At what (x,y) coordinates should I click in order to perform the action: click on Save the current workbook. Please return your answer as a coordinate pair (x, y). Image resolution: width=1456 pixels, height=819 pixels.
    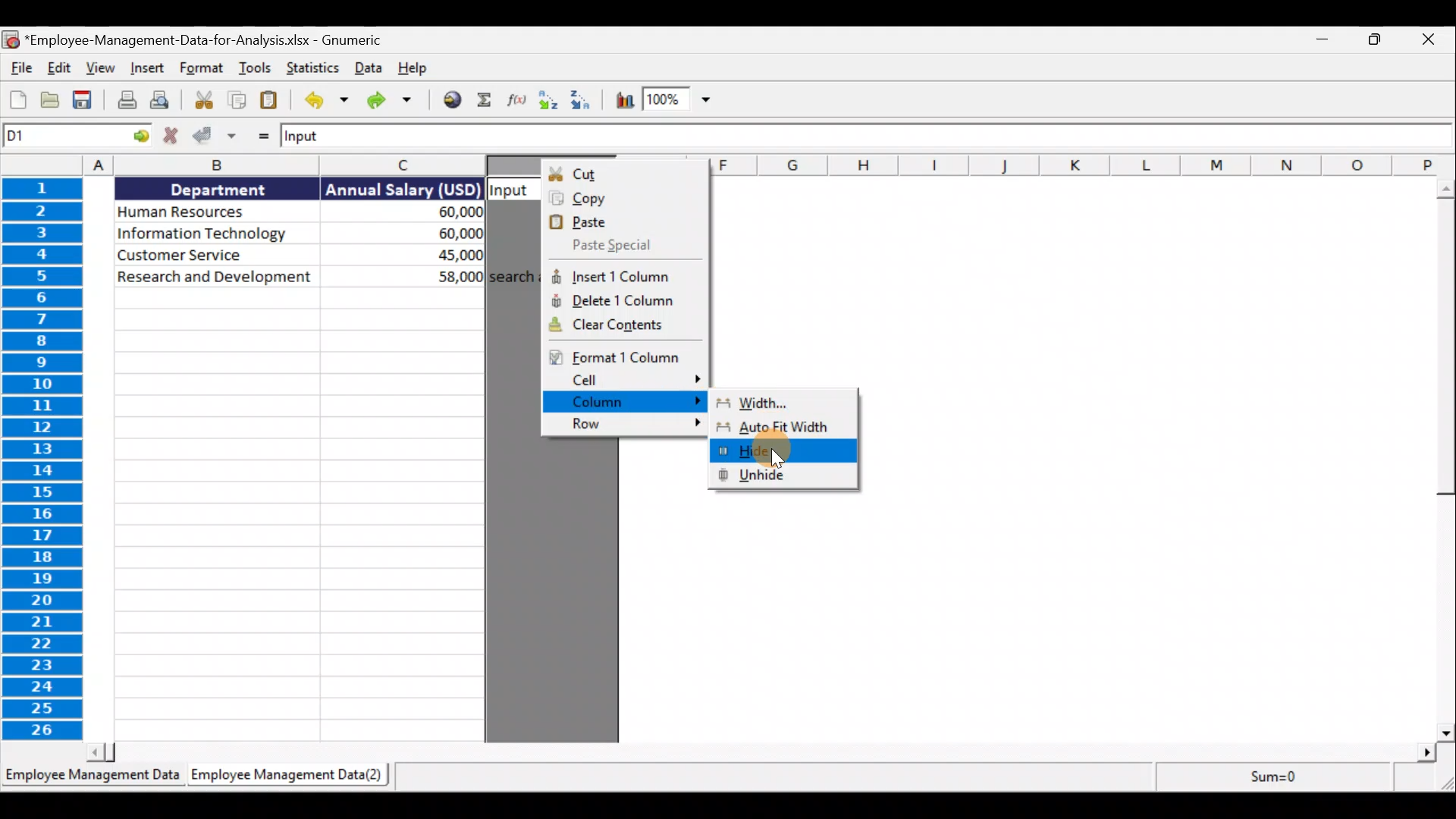
    Looking at the image, I should click on (84, 99).